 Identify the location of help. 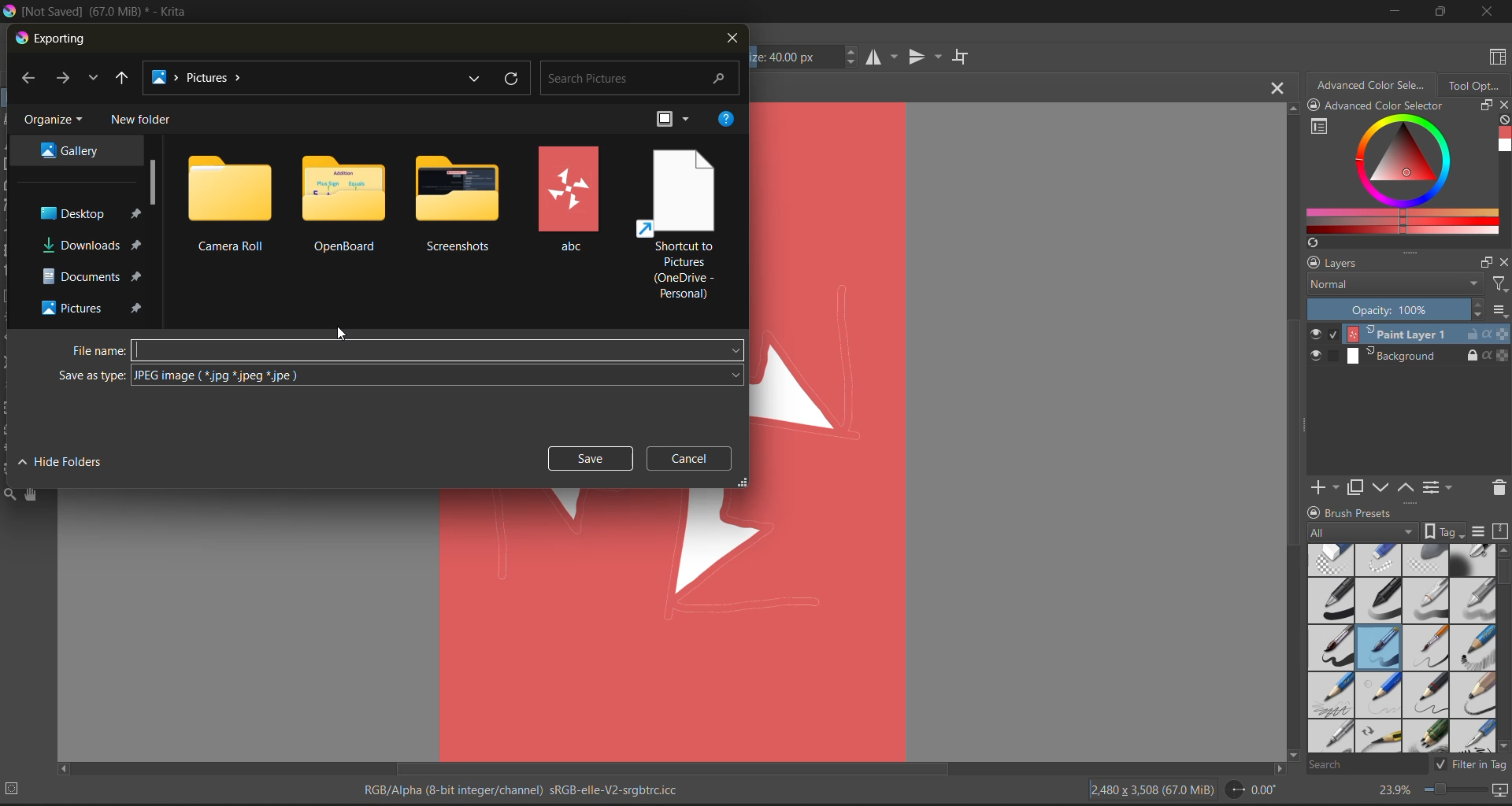
(726, 120).